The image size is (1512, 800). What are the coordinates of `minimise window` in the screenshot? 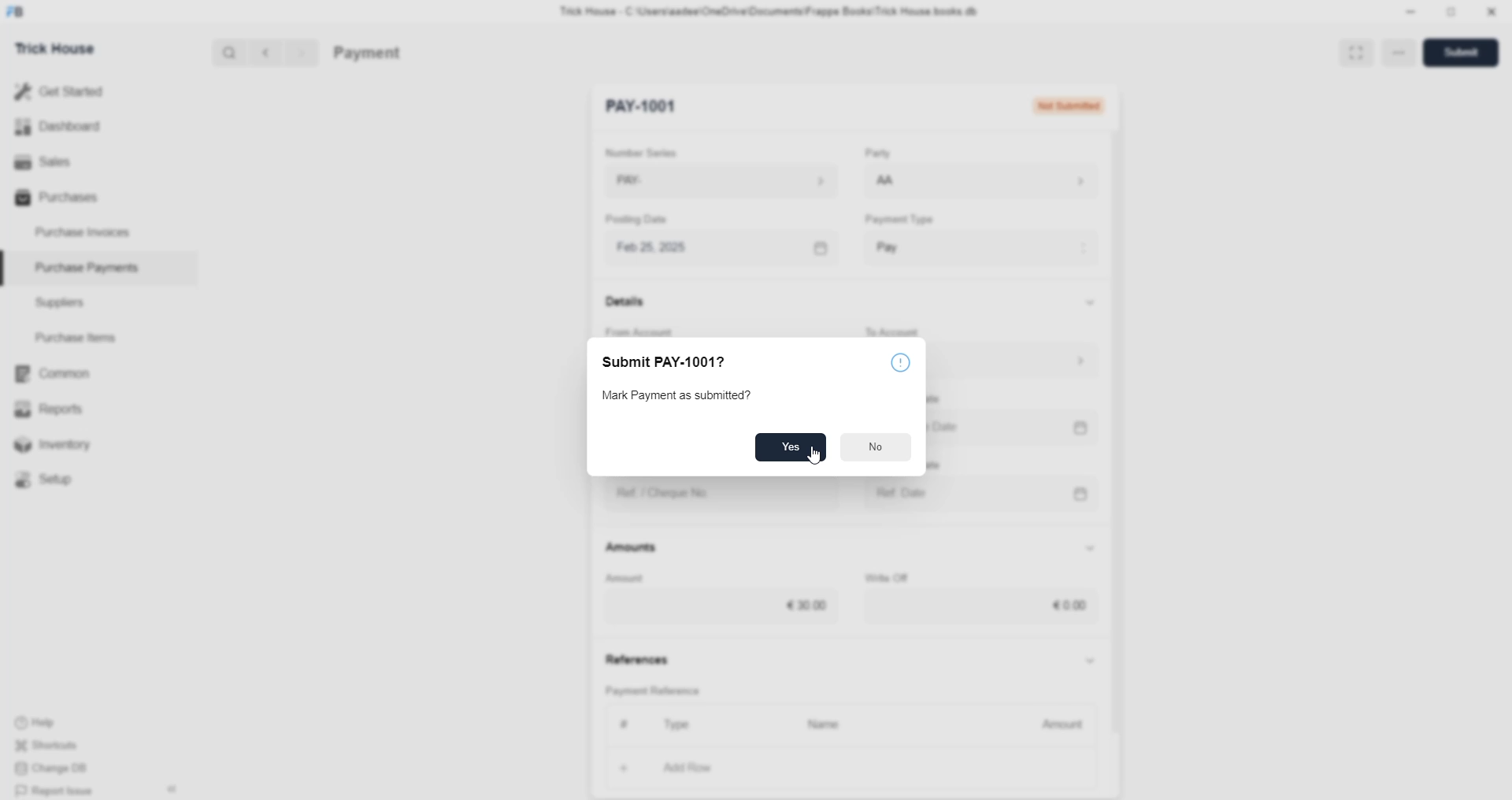 It's located at (1450, 13).